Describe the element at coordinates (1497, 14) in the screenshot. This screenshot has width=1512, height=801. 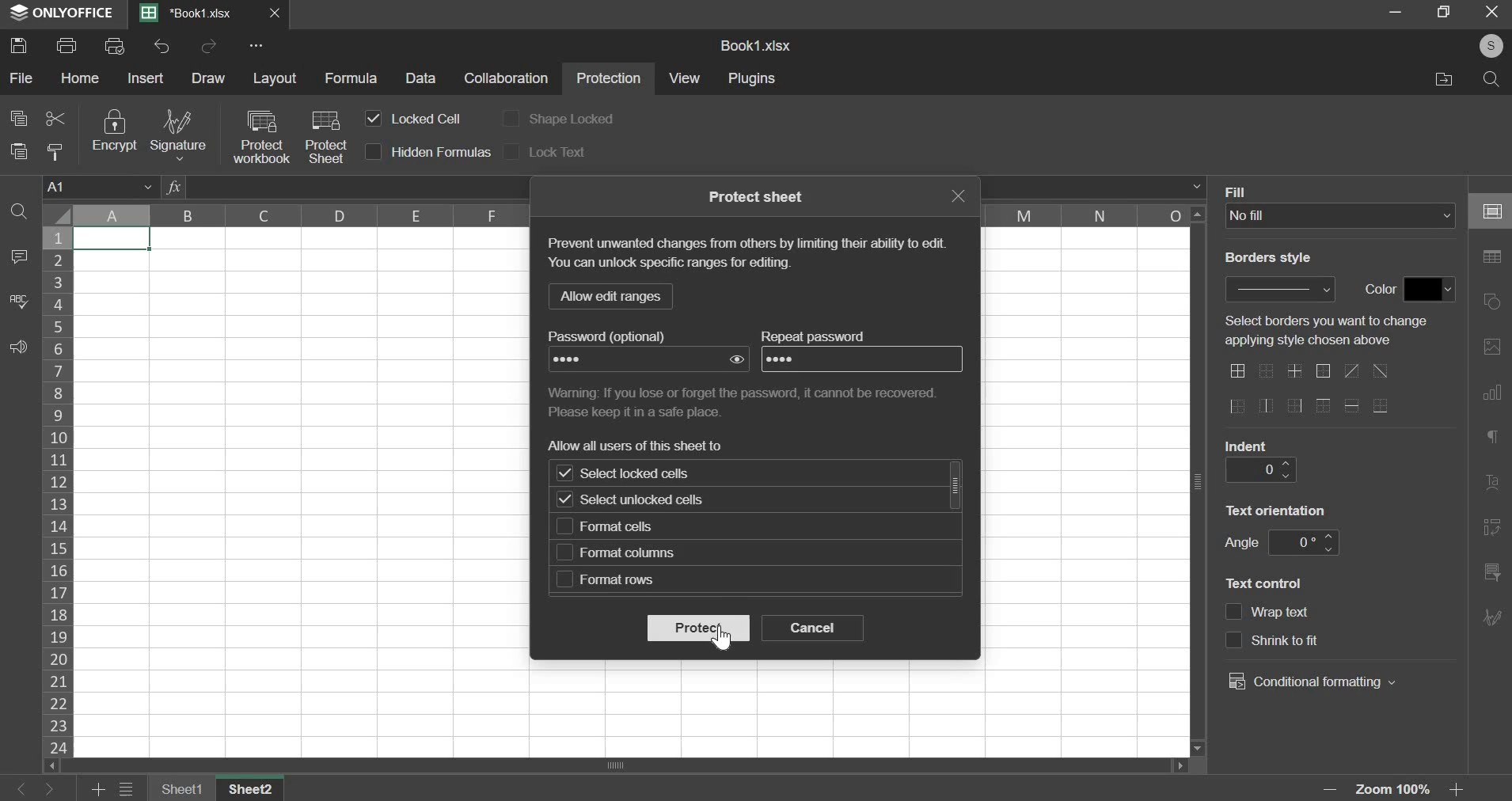
I see `Cancel` at that location.